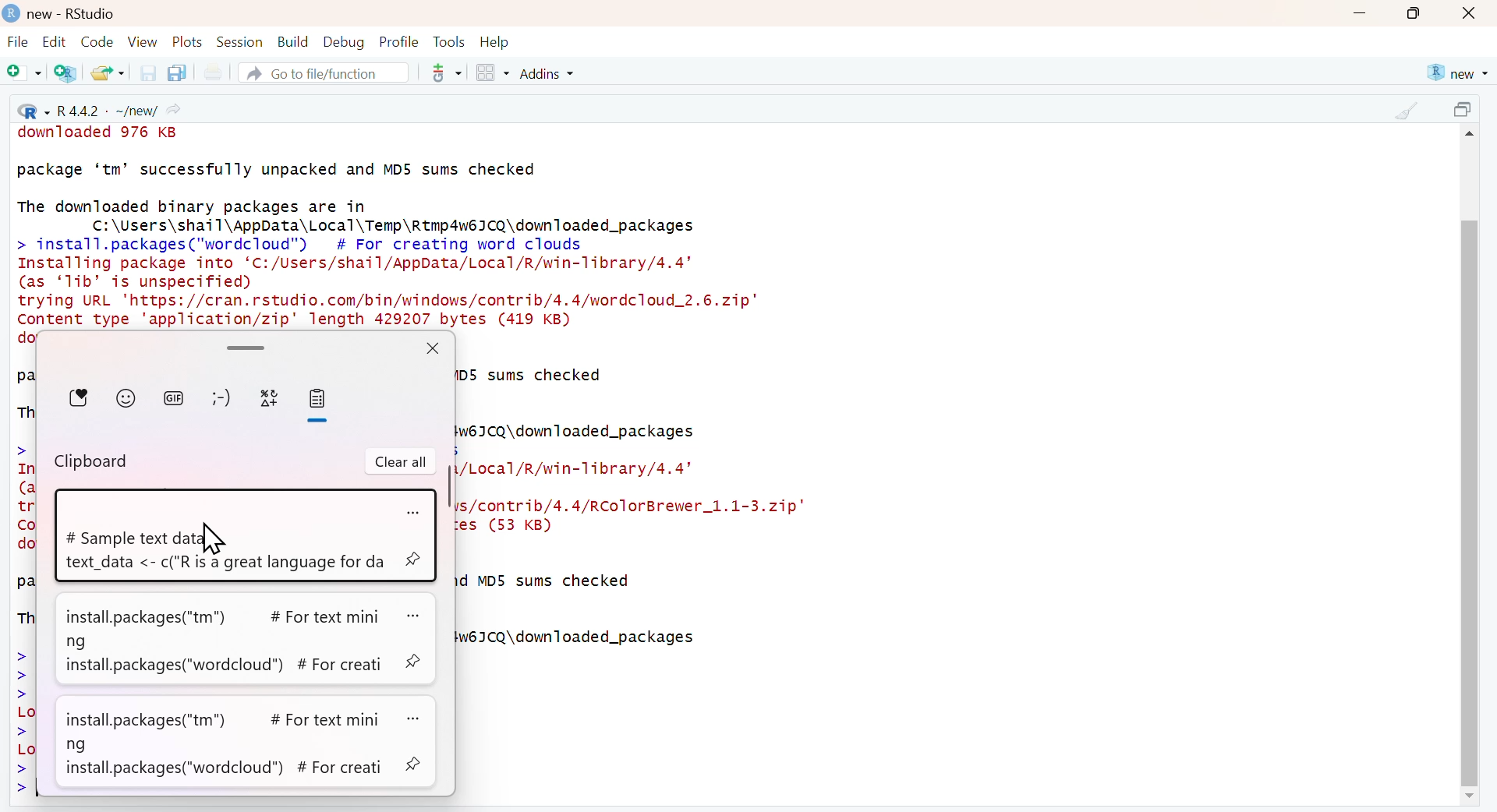 The height and width of the screenshot is (812, 1497). What do you see at coordinates (227, 768) in the screenshot?
I see `install.packages("wordcloud") # For creati` at bounding box center [227, 768].